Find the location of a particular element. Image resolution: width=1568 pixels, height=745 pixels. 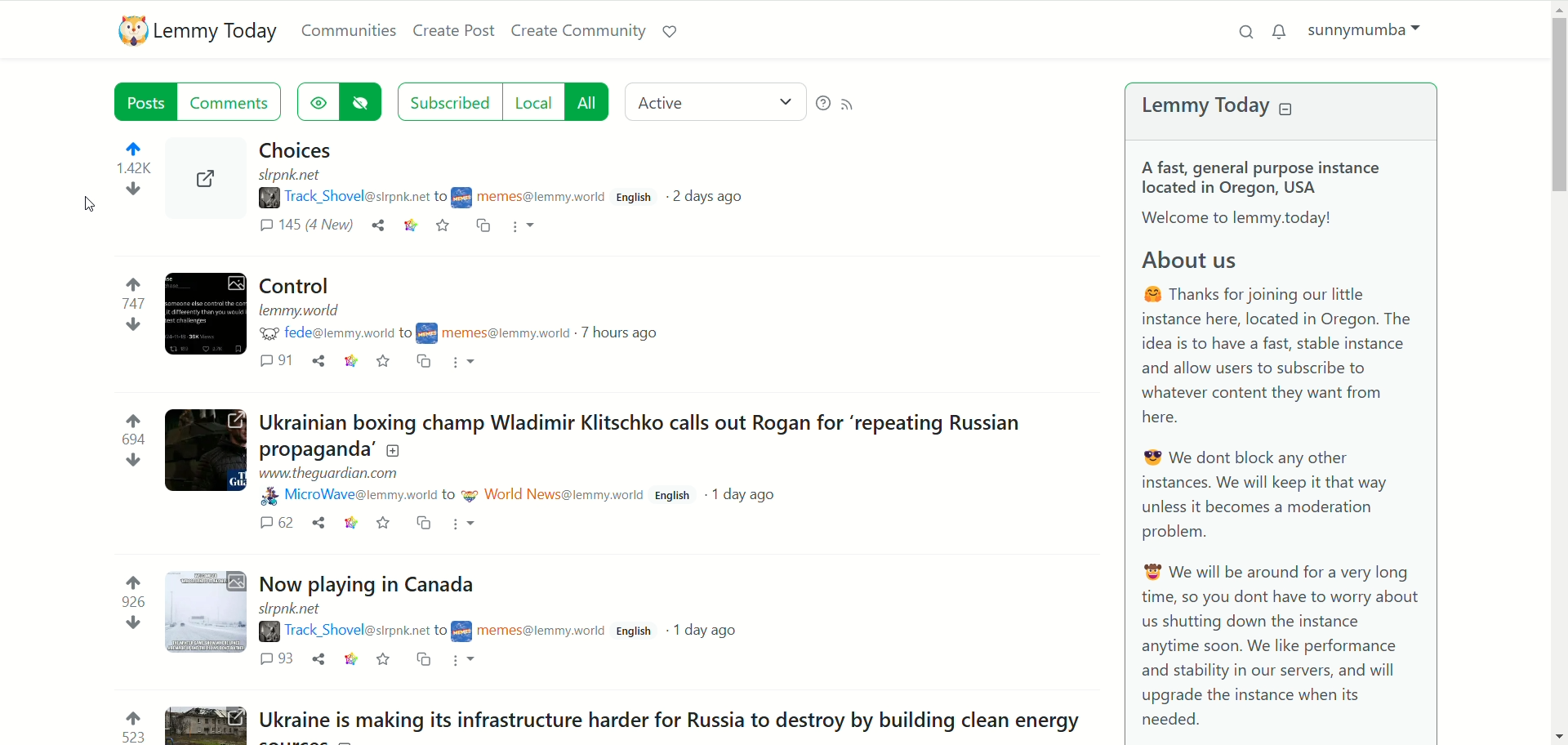

vertical scroll bar is located at coordinates (1557, 370).